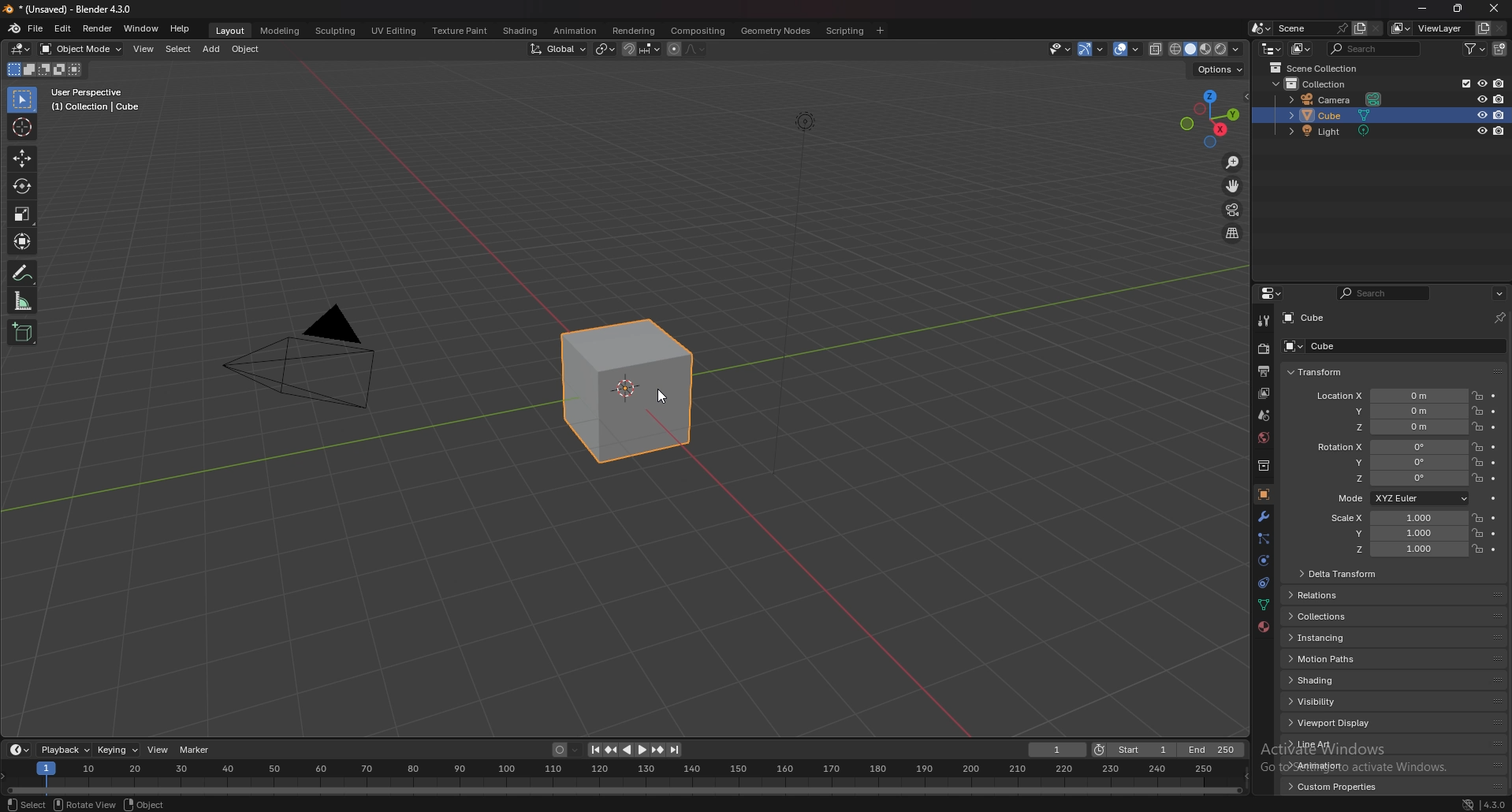 The height and width of the screenshot is (812, 1512). What do you see at coordinates (634, 32) in the screenshot?
I see `rendering` at bounding box center [634, 32].